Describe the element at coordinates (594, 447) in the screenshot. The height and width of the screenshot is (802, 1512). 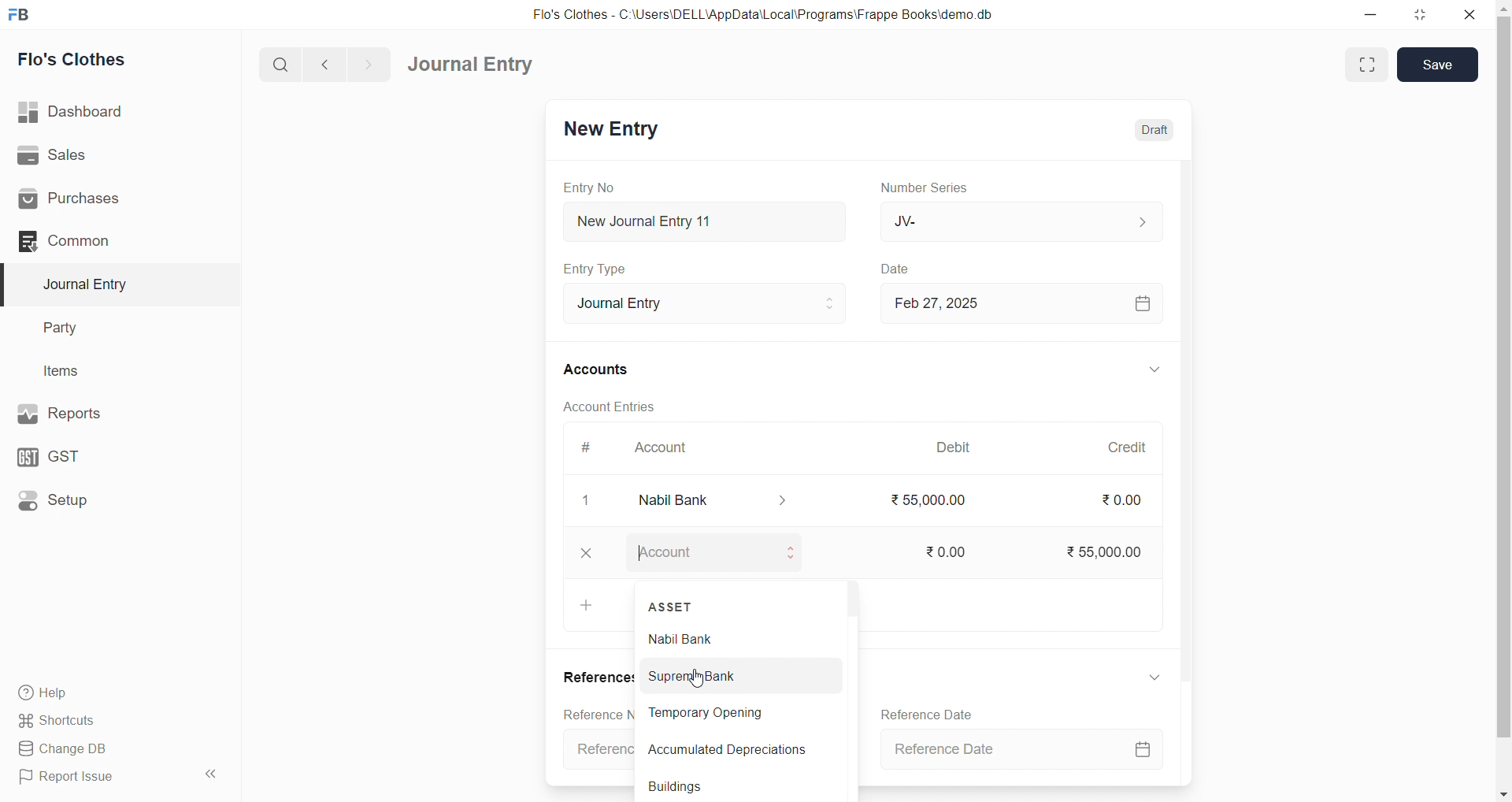
I see `#` at that location.